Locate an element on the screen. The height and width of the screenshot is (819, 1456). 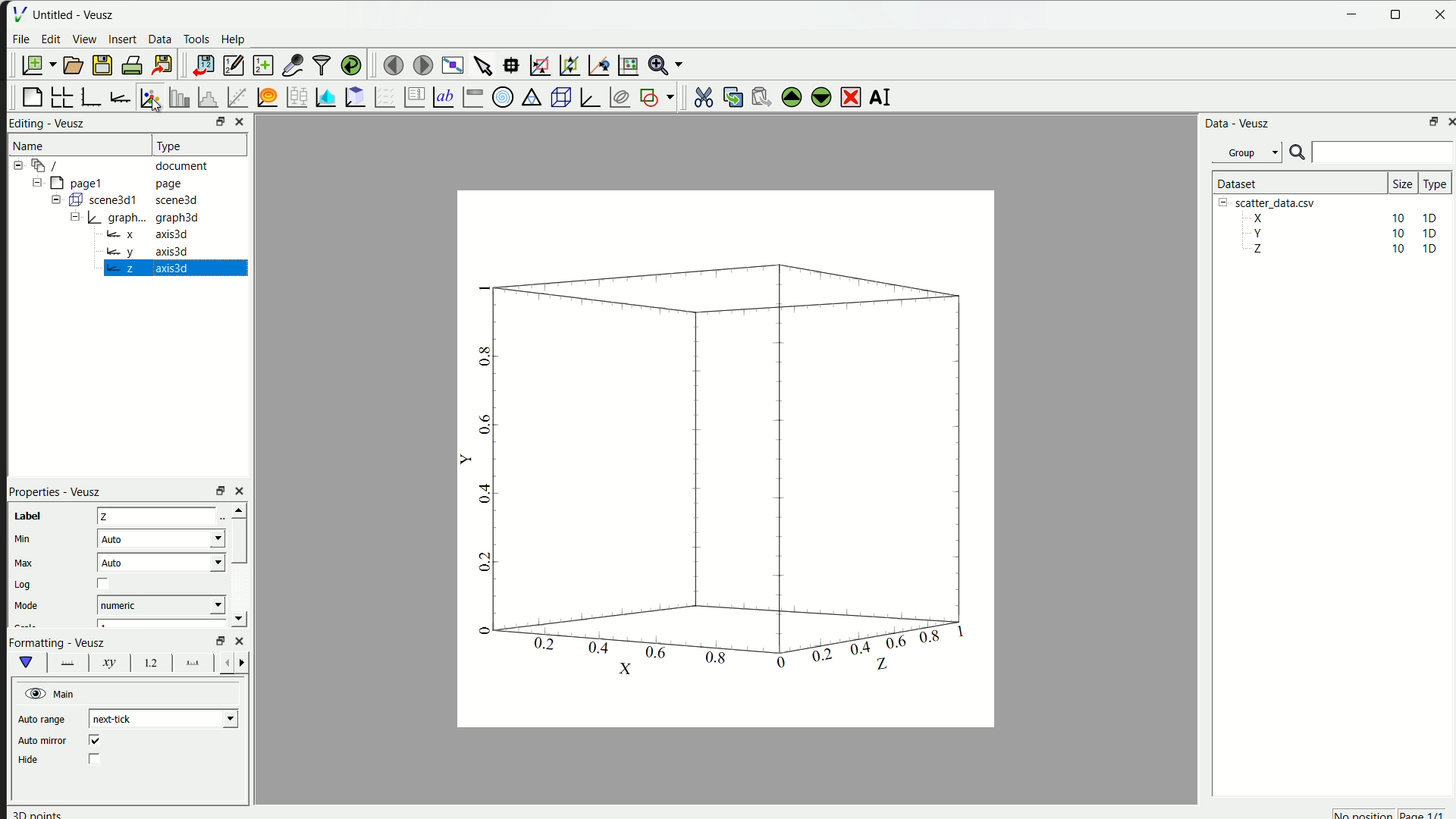
view plot full screen is located at coordinates (450, 63).